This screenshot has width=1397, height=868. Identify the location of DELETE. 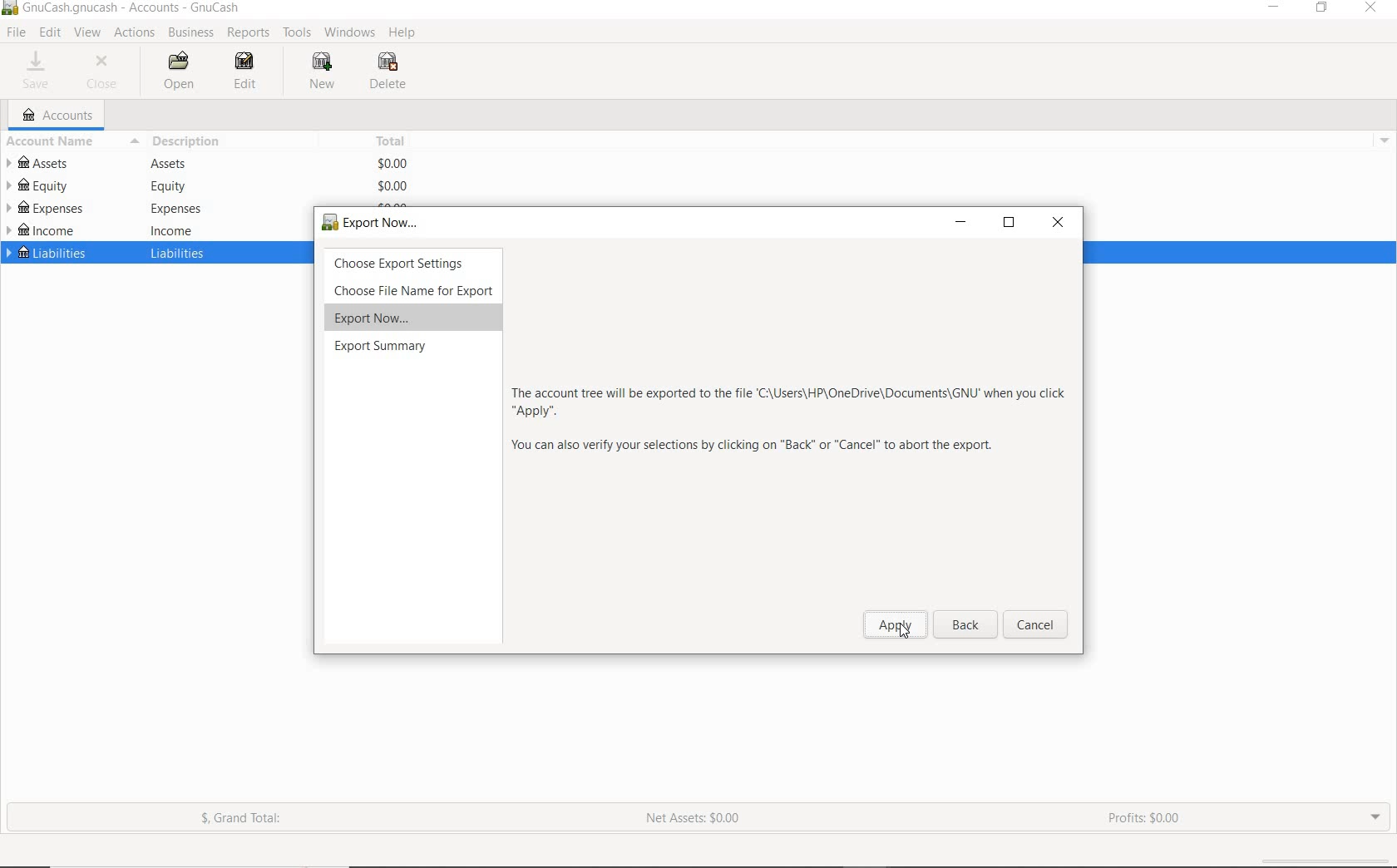
(388, 73).